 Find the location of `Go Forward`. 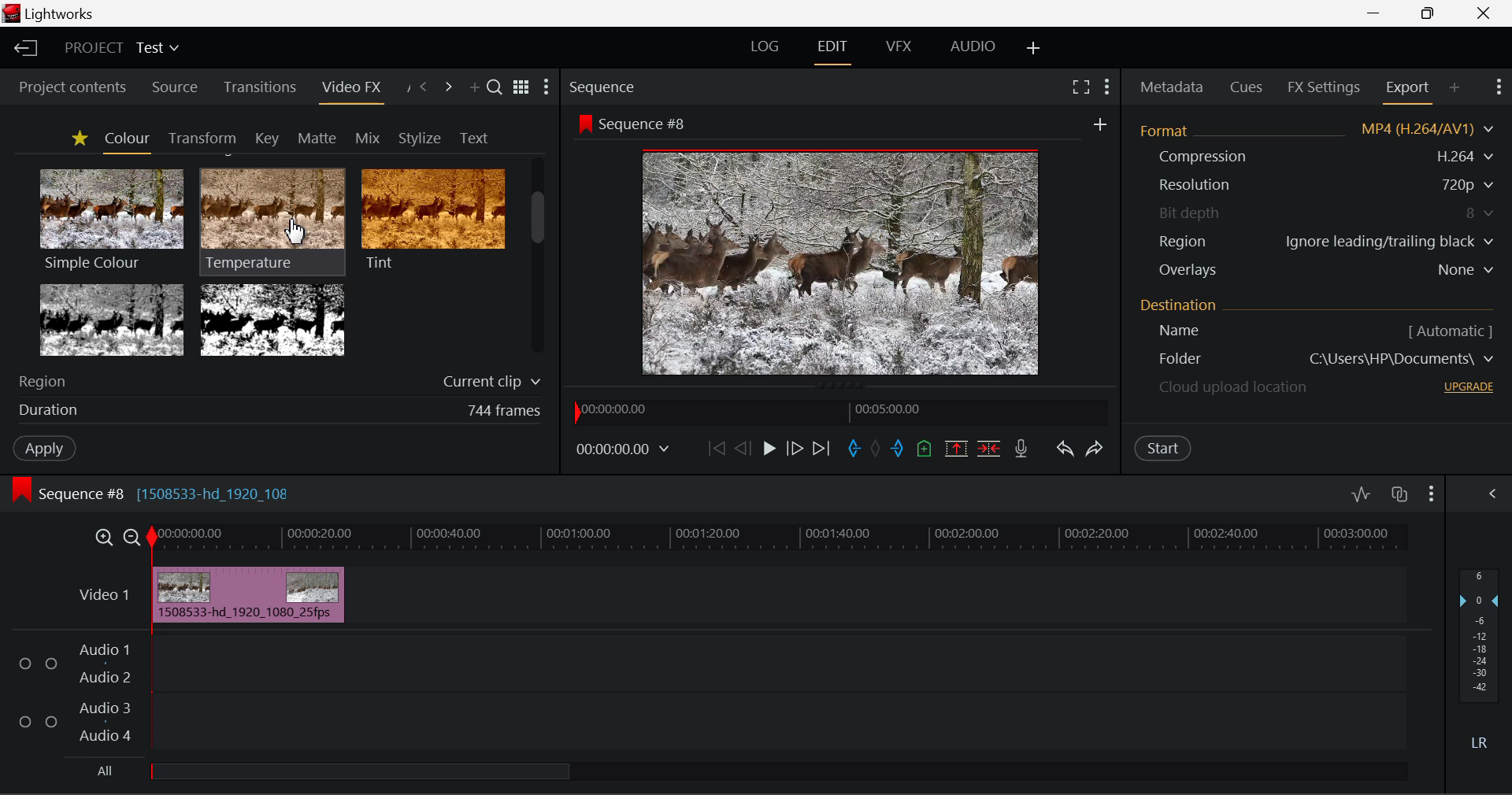

Go Forward is located at coordinates (794, 449).